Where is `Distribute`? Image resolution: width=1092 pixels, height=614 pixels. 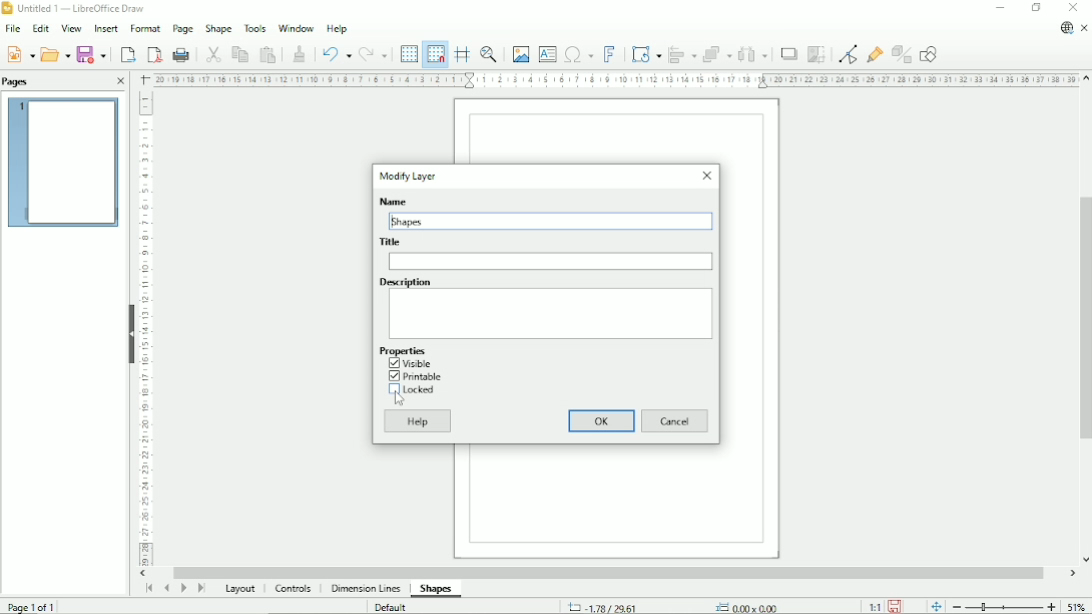 Distribute is located at coordinates (753, 54).